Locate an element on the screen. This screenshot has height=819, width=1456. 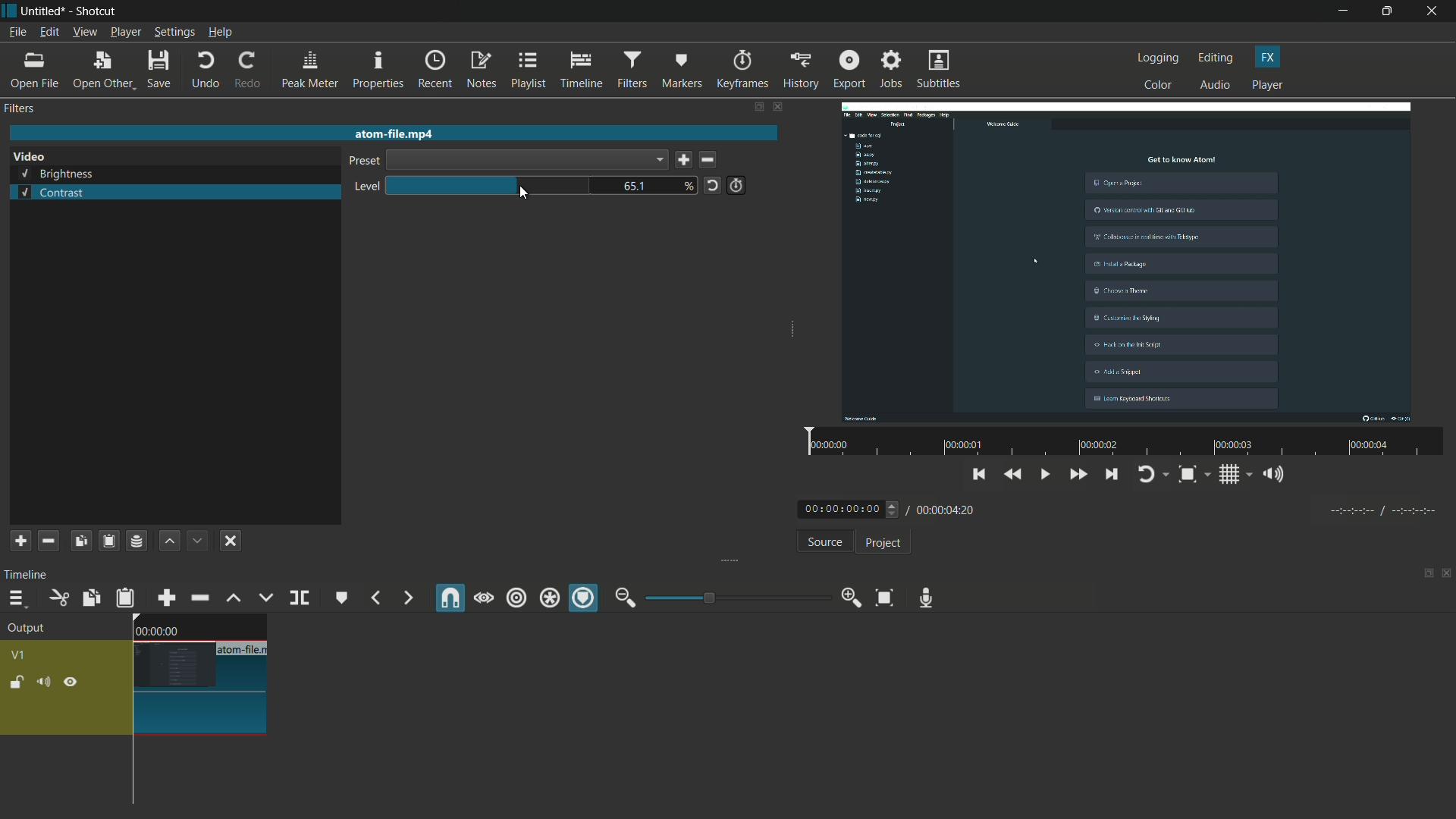
brightness bar is located at coordinates (490, 185).